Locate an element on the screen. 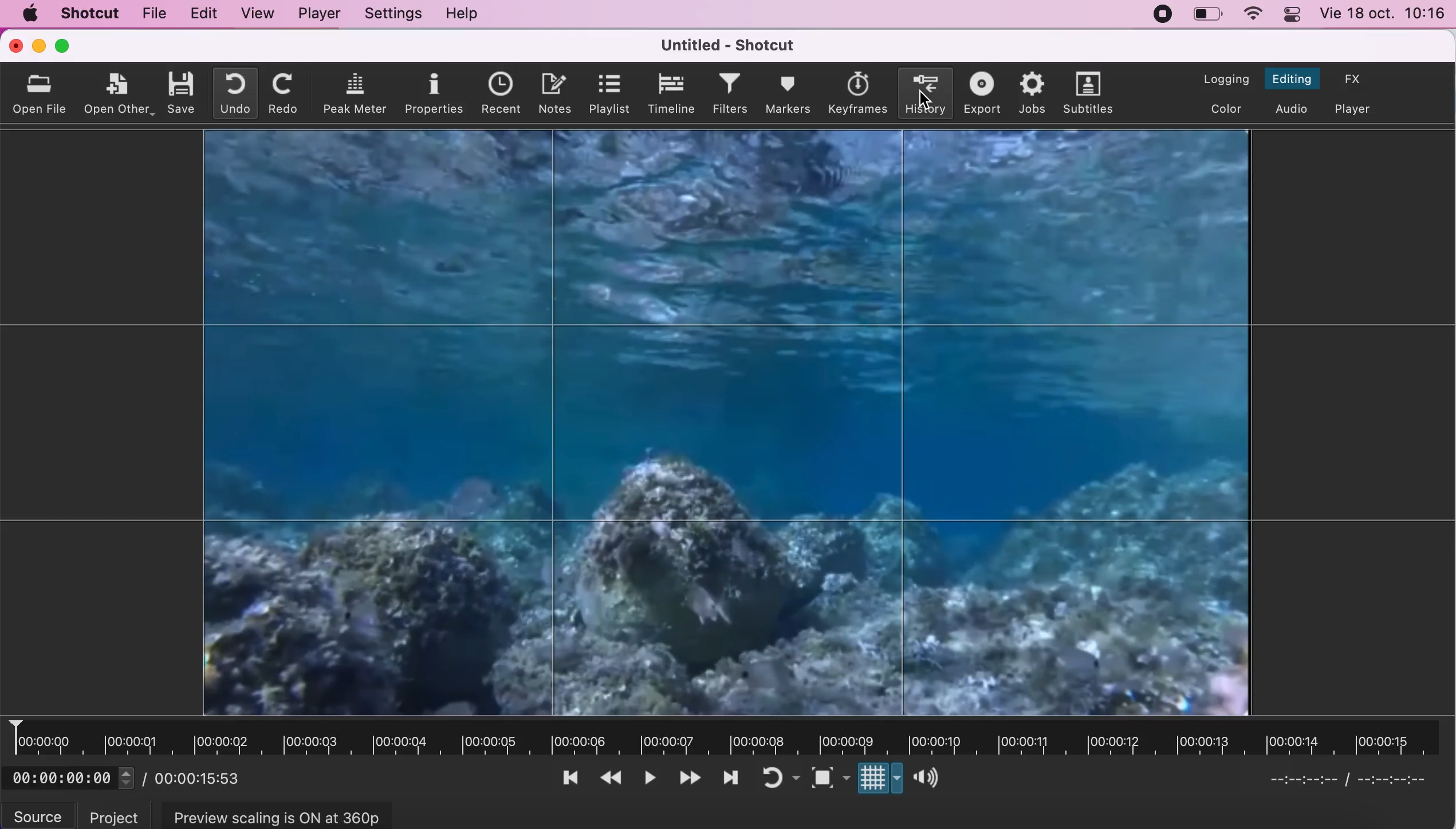 Image resolution: width=1456 pixels, height=829 pixels. switch to the audio layout is located at coordinates (1292, 108).